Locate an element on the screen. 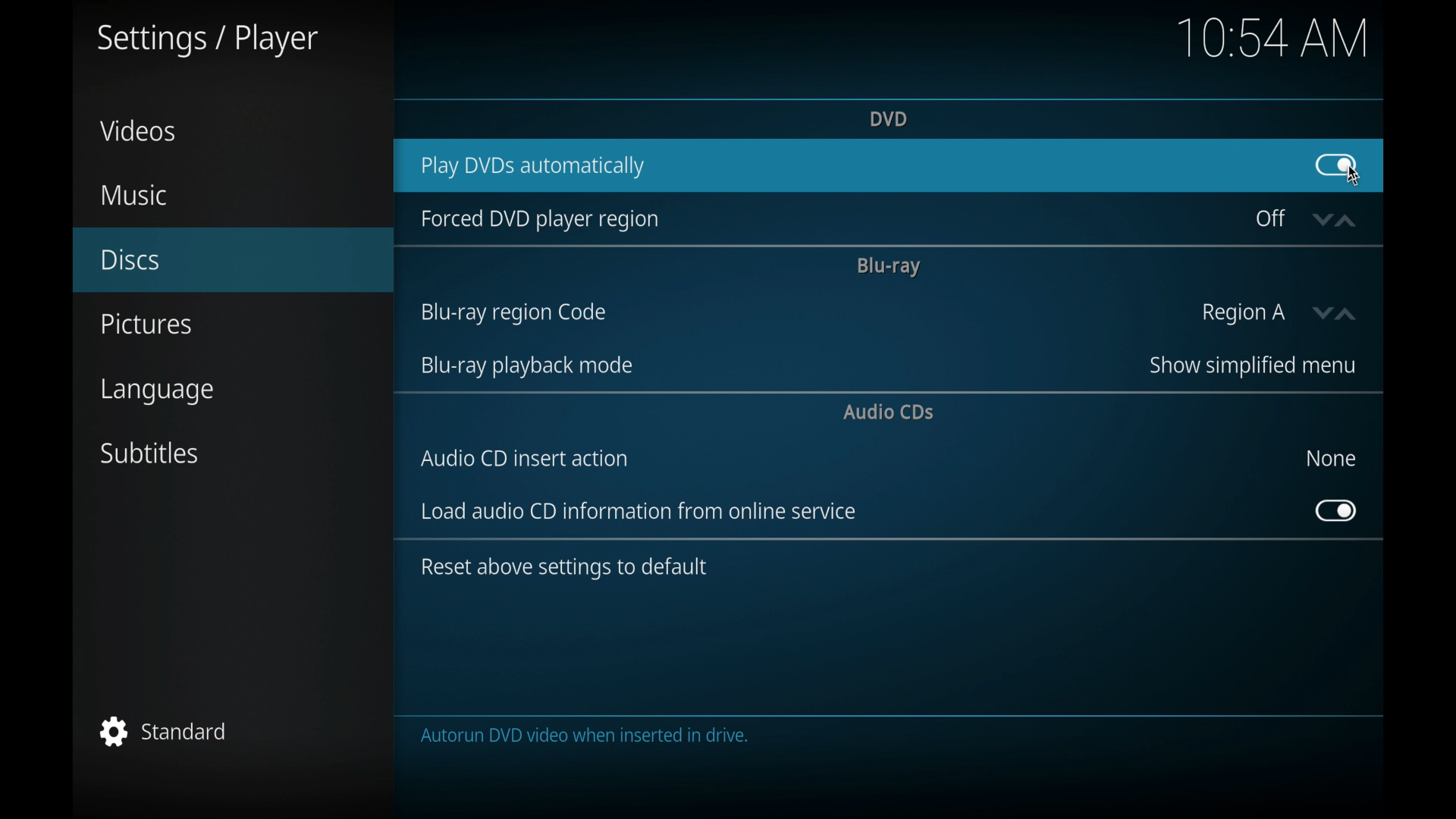 The width and height of the screenshot is (1456, 819). 10.54 am is located at coordinates (1273, 36).